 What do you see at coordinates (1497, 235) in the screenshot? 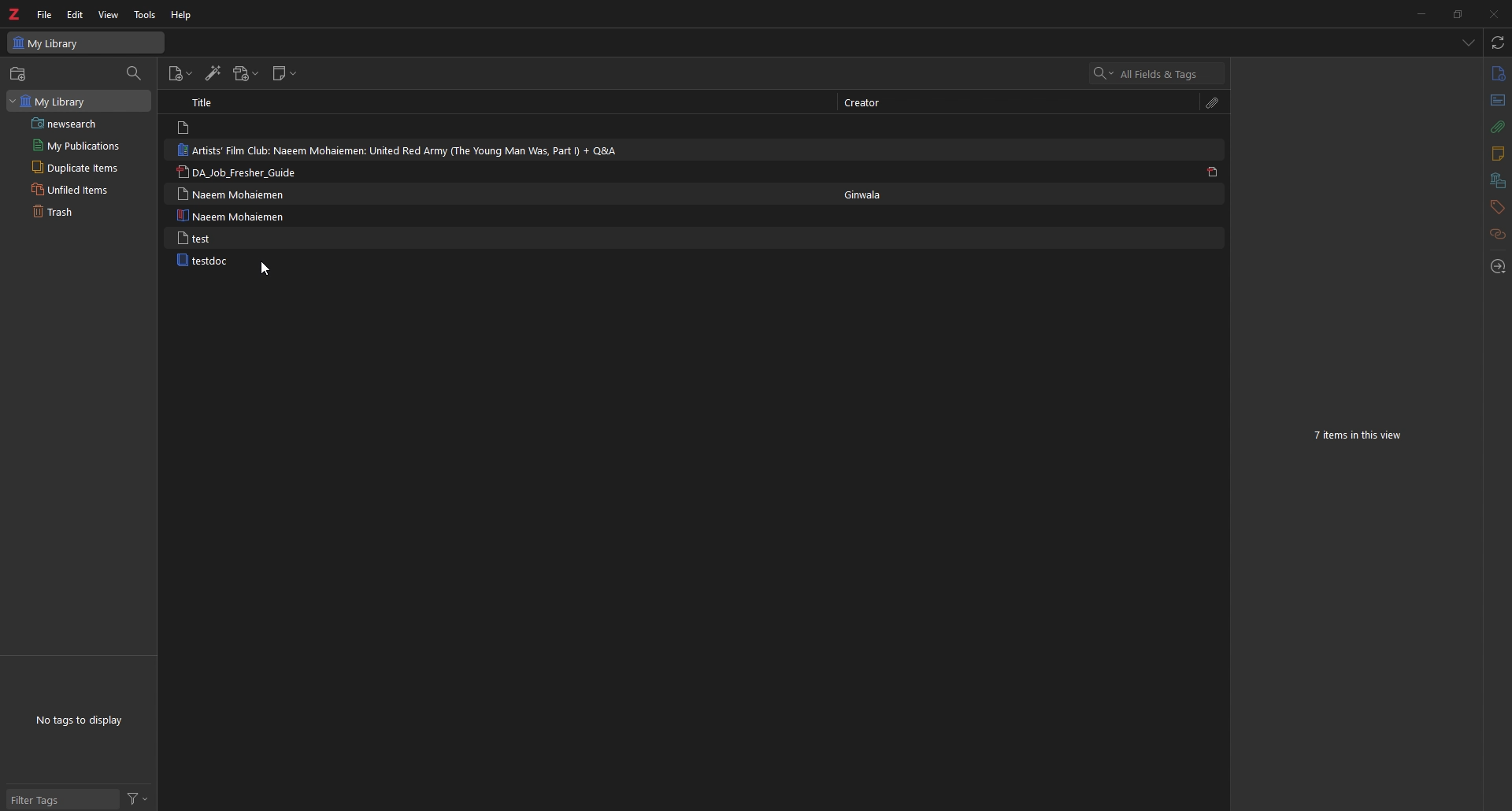
I see `related` at bounding box center [1497, 235].